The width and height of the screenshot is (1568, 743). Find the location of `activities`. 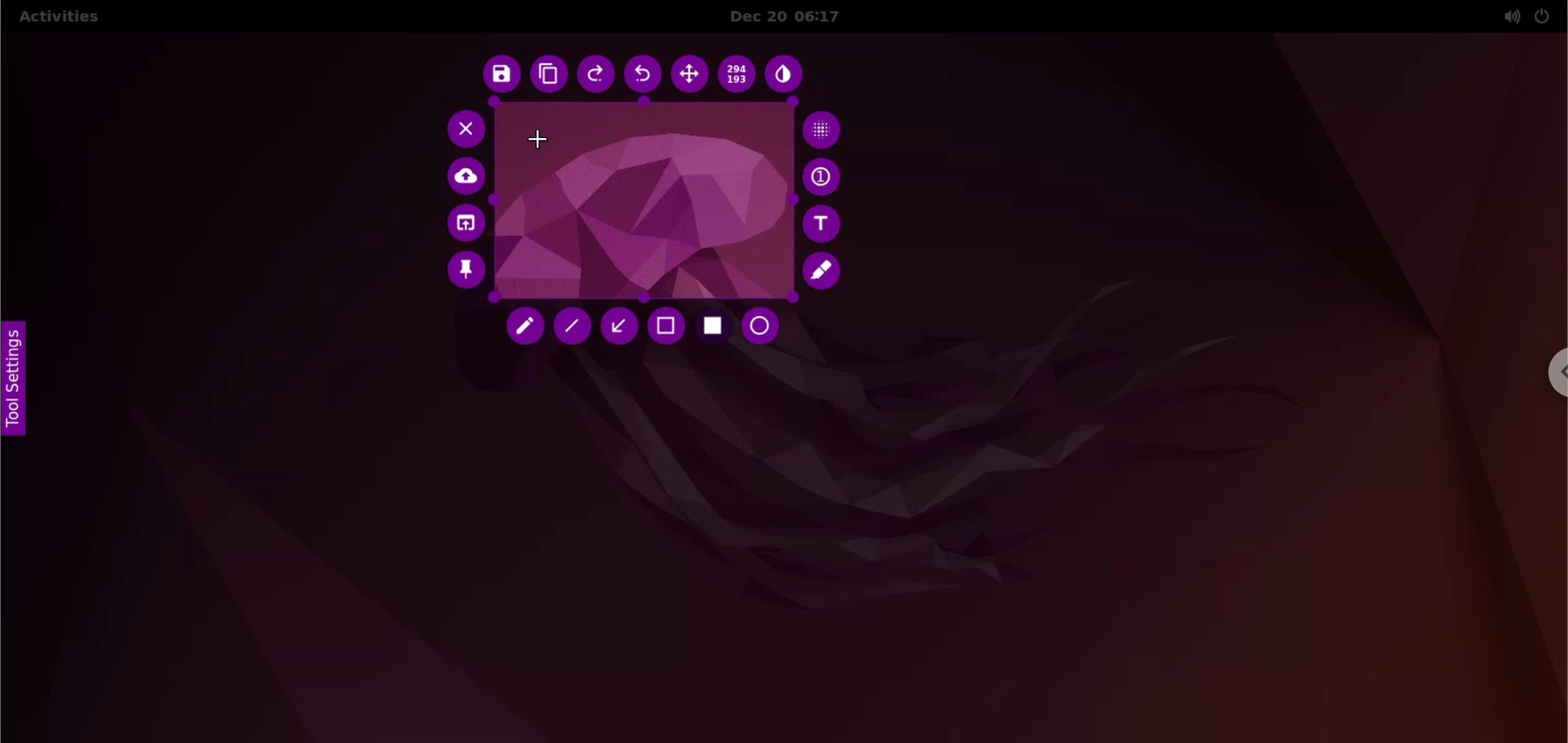

activities is located at coordinates (58, 19).